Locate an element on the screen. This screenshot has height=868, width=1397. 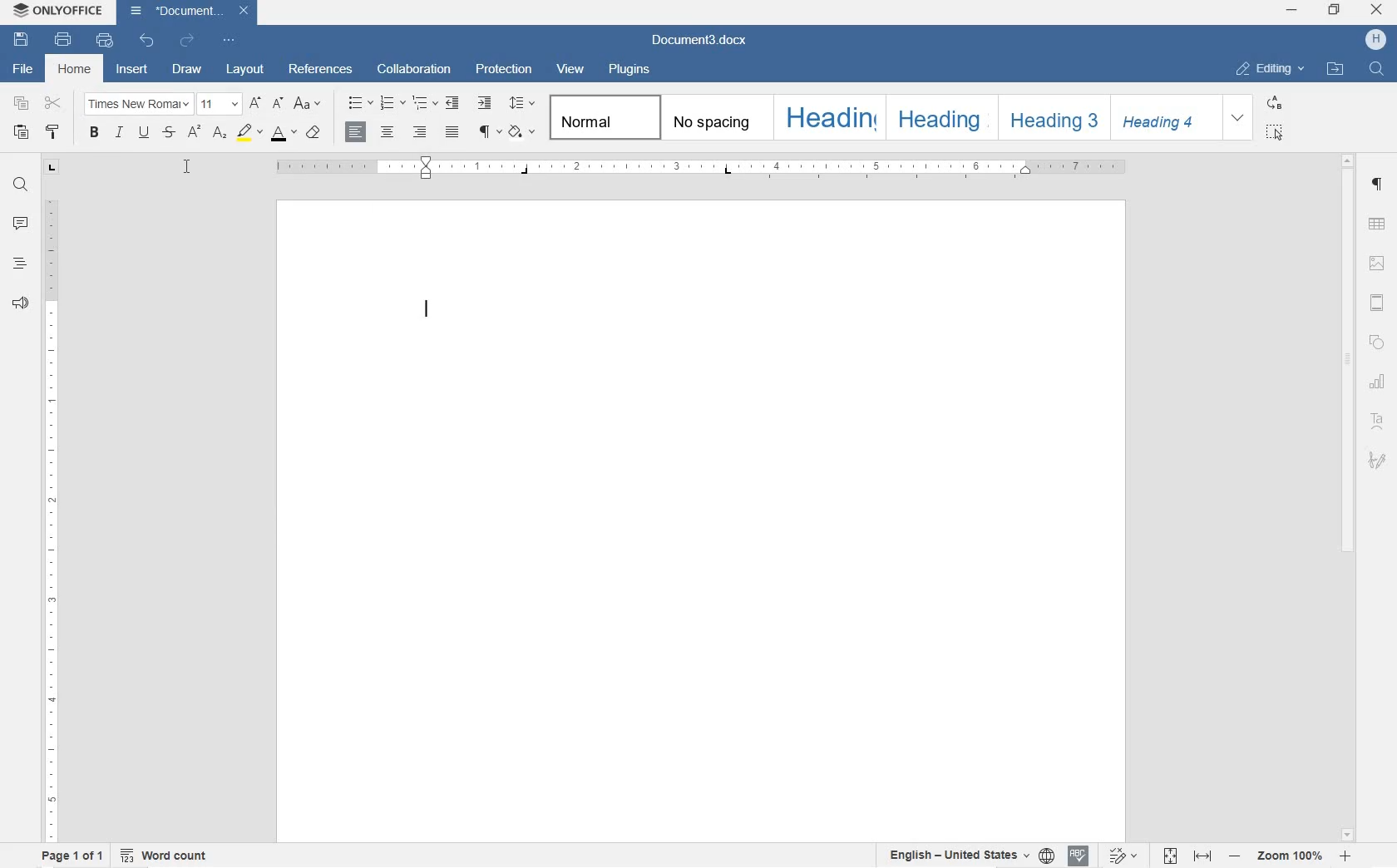
PARAGRAPH SETTINGS is located at coordinates (1375, 185).